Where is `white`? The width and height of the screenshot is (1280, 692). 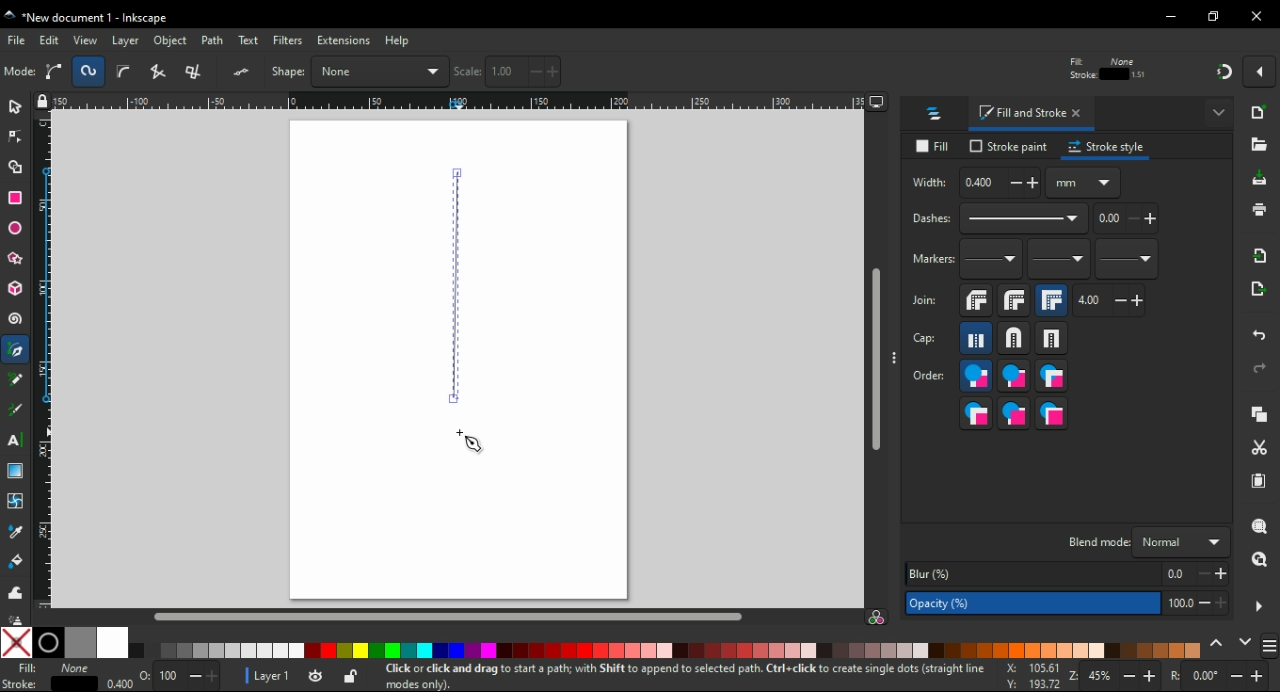
white is located at coordinates (113, 642).